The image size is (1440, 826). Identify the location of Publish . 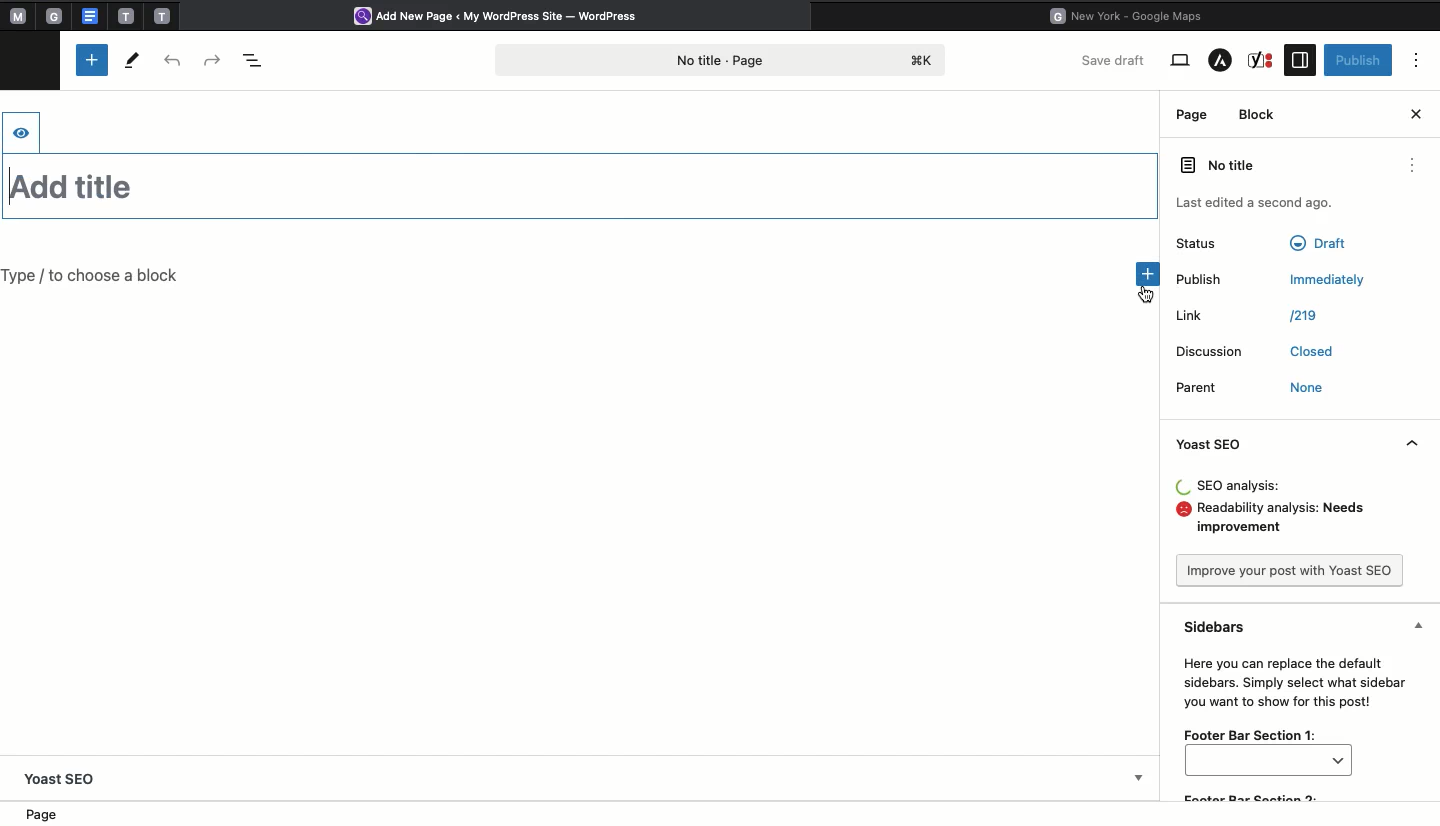
(1359, 59).